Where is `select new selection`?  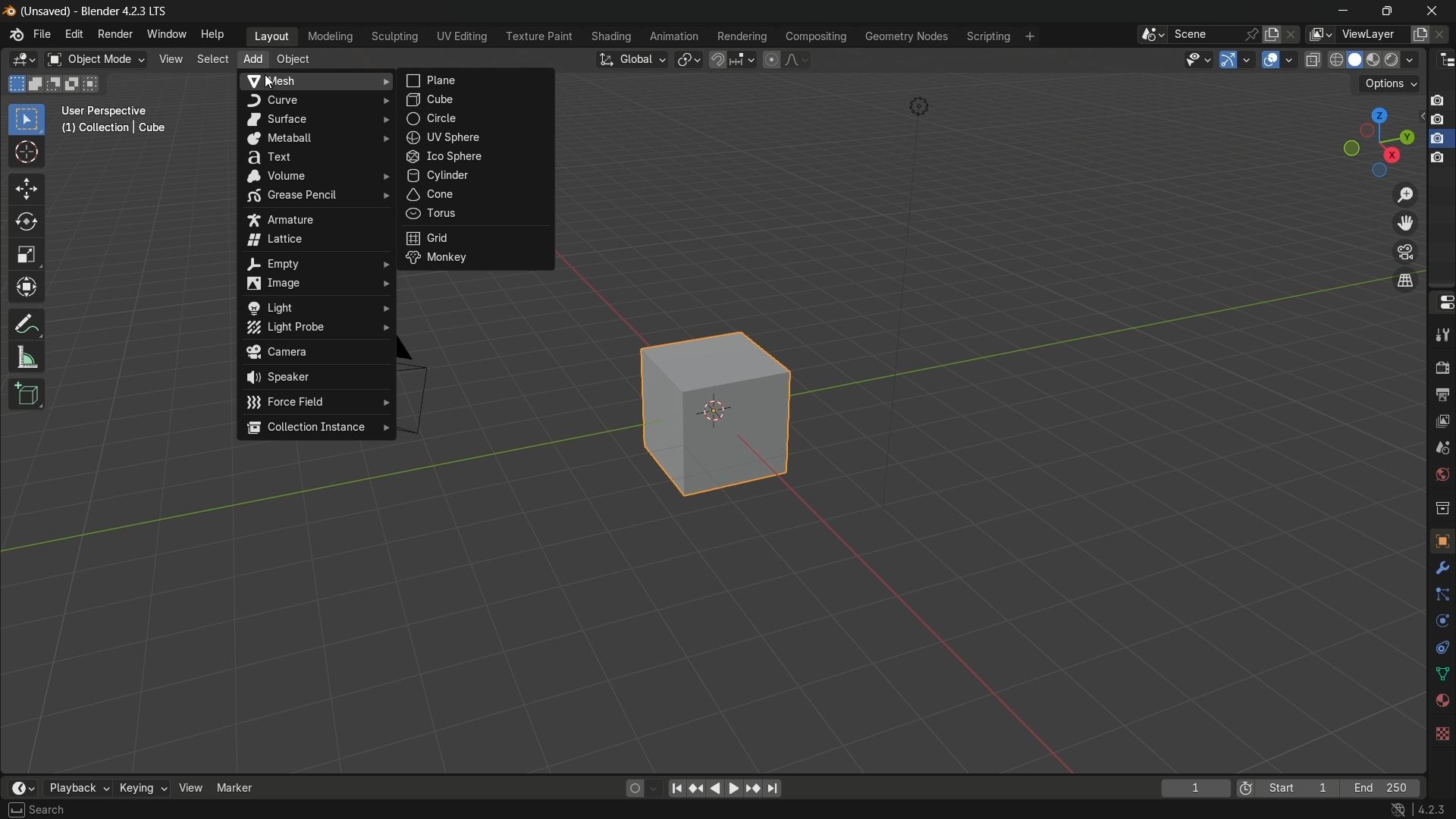
select new selection is located at coordinates (14, 84).